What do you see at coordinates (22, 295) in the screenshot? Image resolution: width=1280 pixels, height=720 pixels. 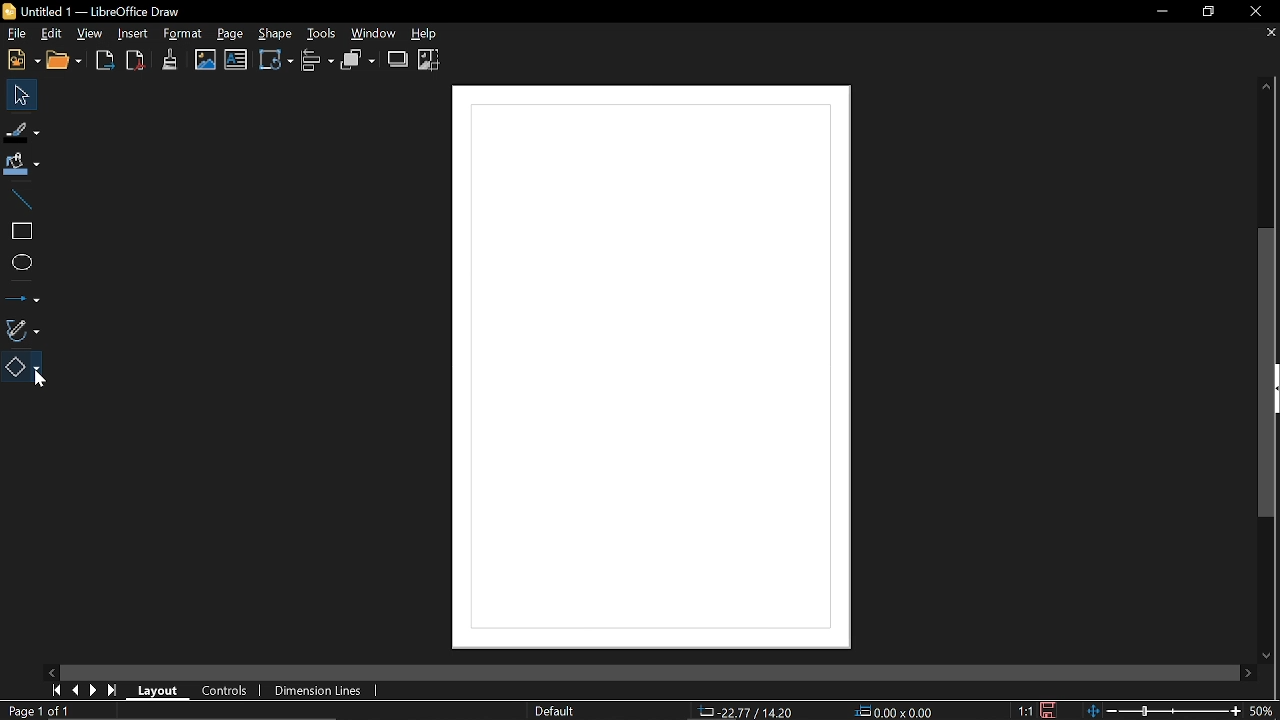 I see `Lines and arrows` at bounding box center [22, 295].